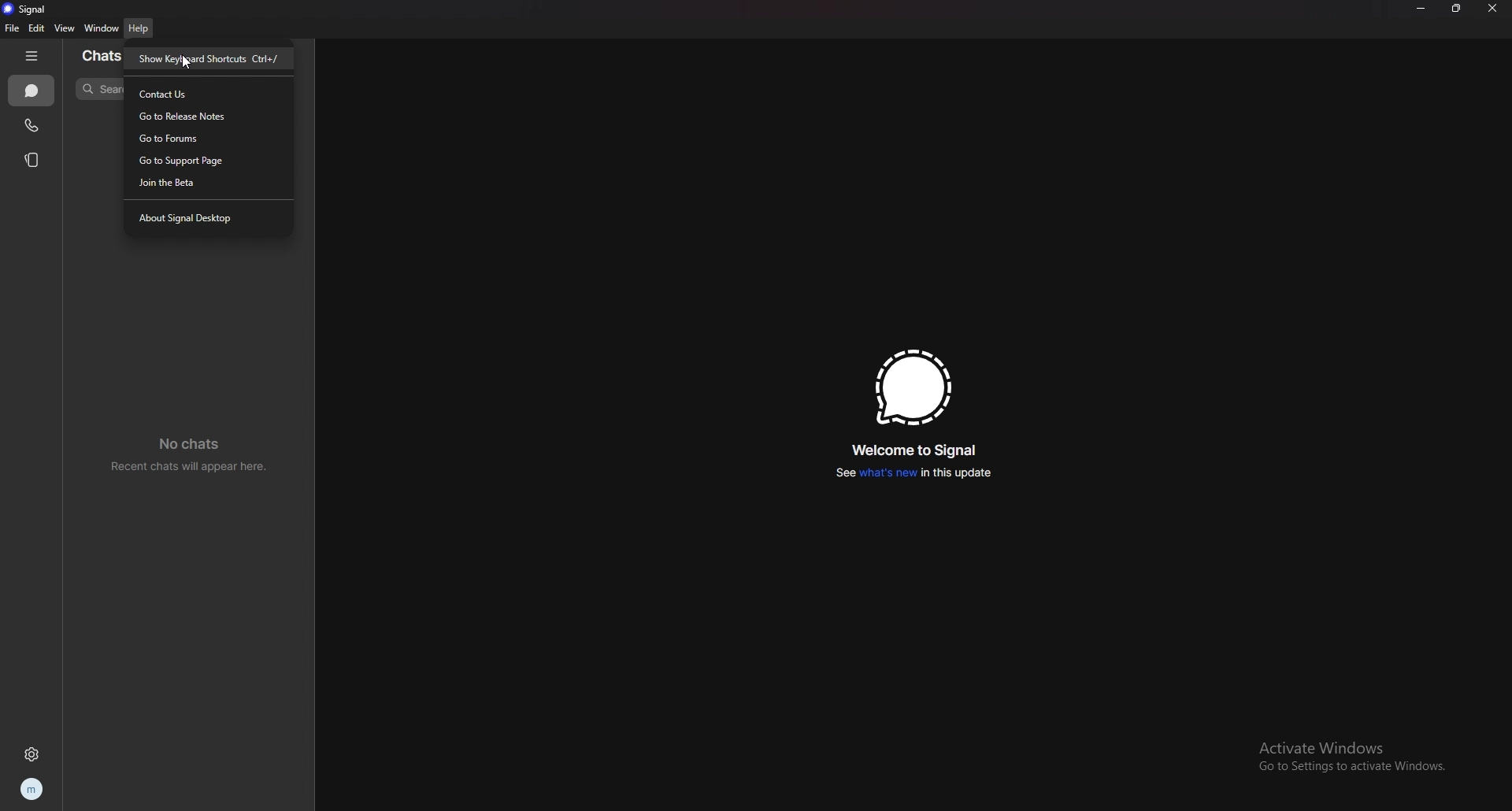  I want to click on resize, so click(1458, 9).